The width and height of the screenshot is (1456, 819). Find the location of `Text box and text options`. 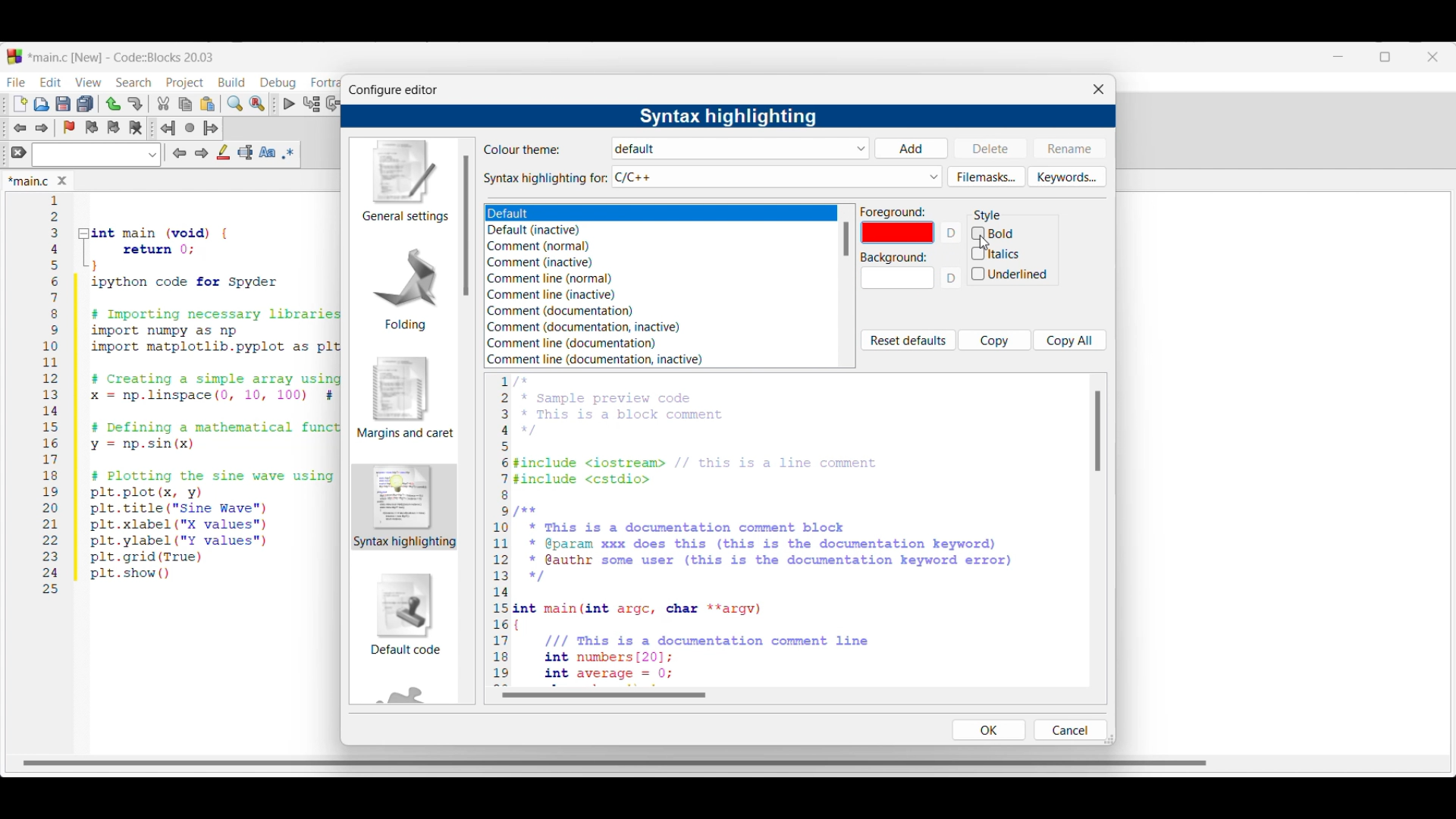

Text box and text options is located at coordinates (96, 155).